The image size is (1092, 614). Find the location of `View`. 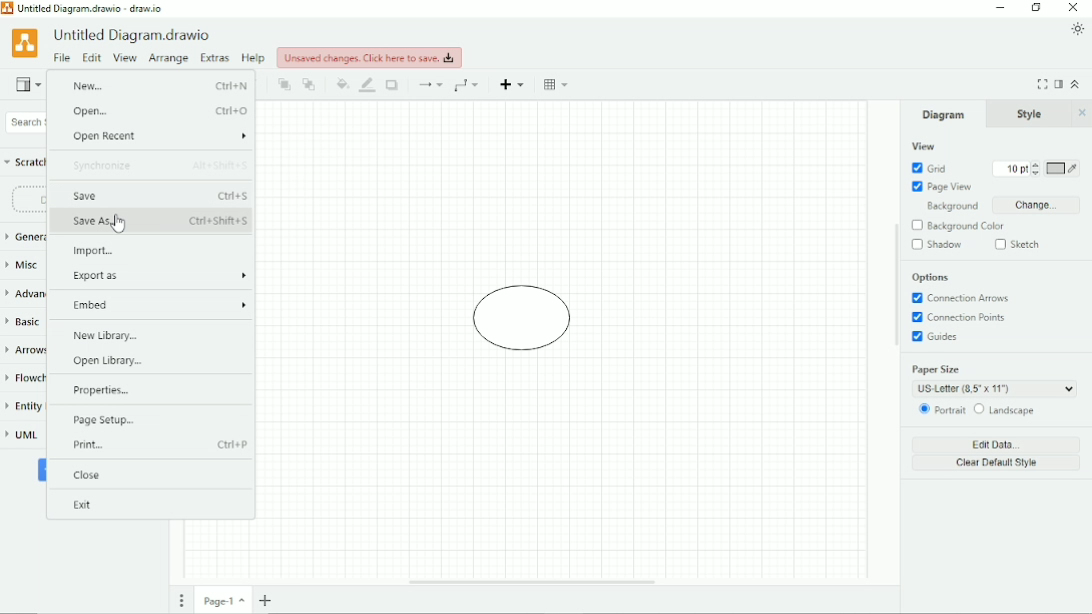

View is located at coordinates (922, 146).